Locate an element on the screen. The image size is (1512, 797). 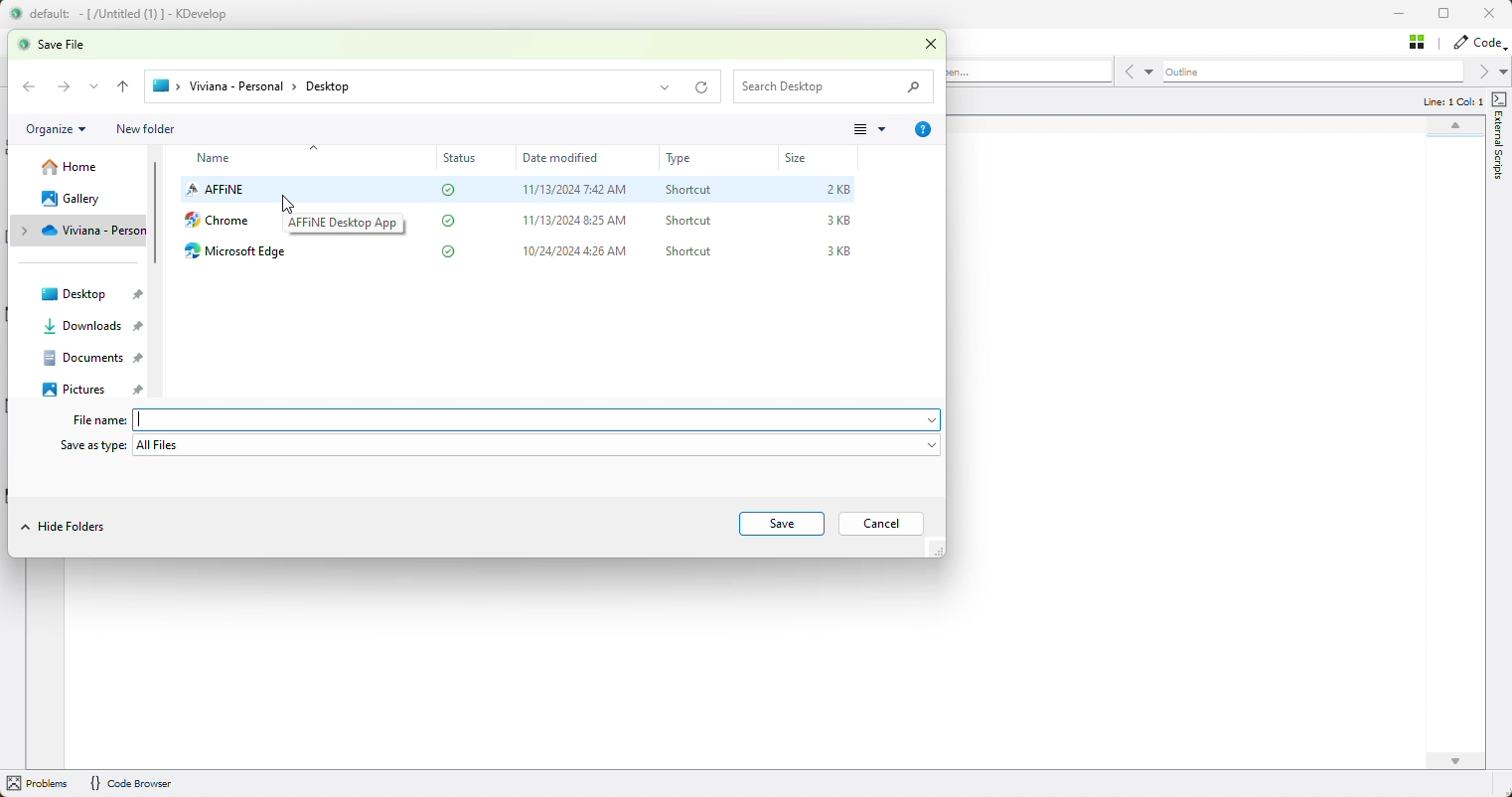
status is located at coordinates (464, 159).